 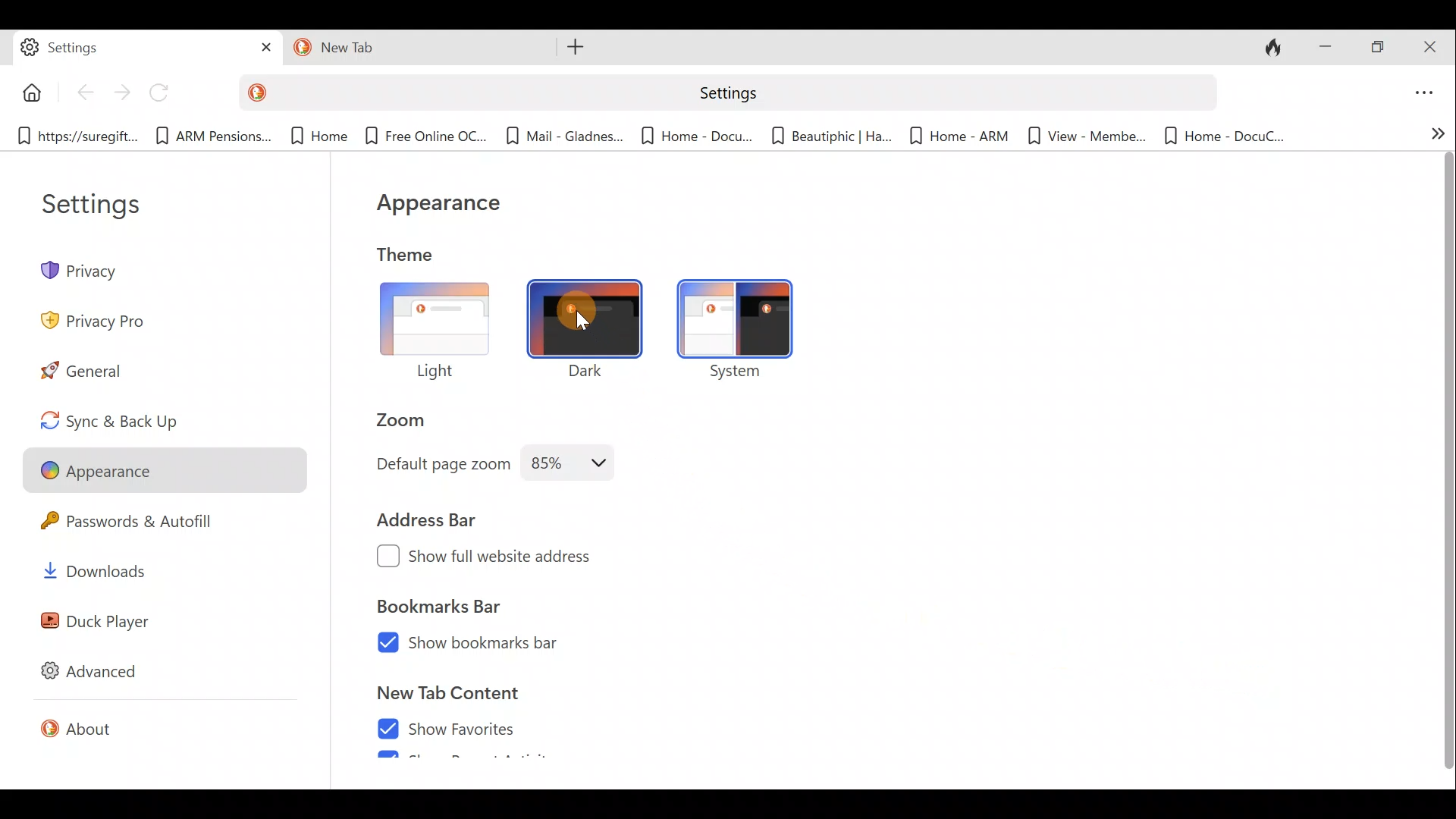 I want to click on Tab 1 , so click(x=143, y=48).